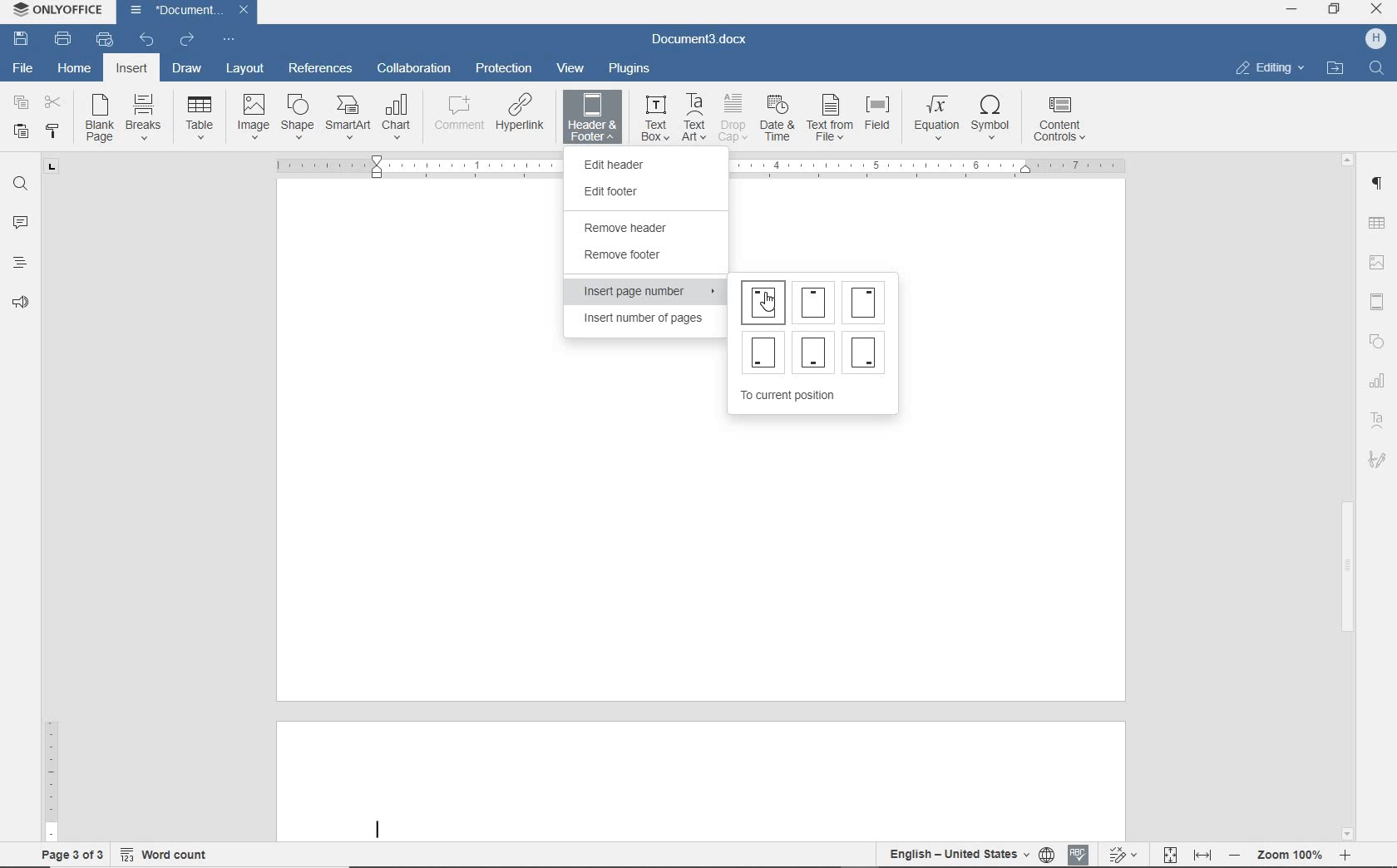  What do you see at coordinates (777, 119) in the screenshot?
I see `DATE & TIME` at bounding box center [777, 119].